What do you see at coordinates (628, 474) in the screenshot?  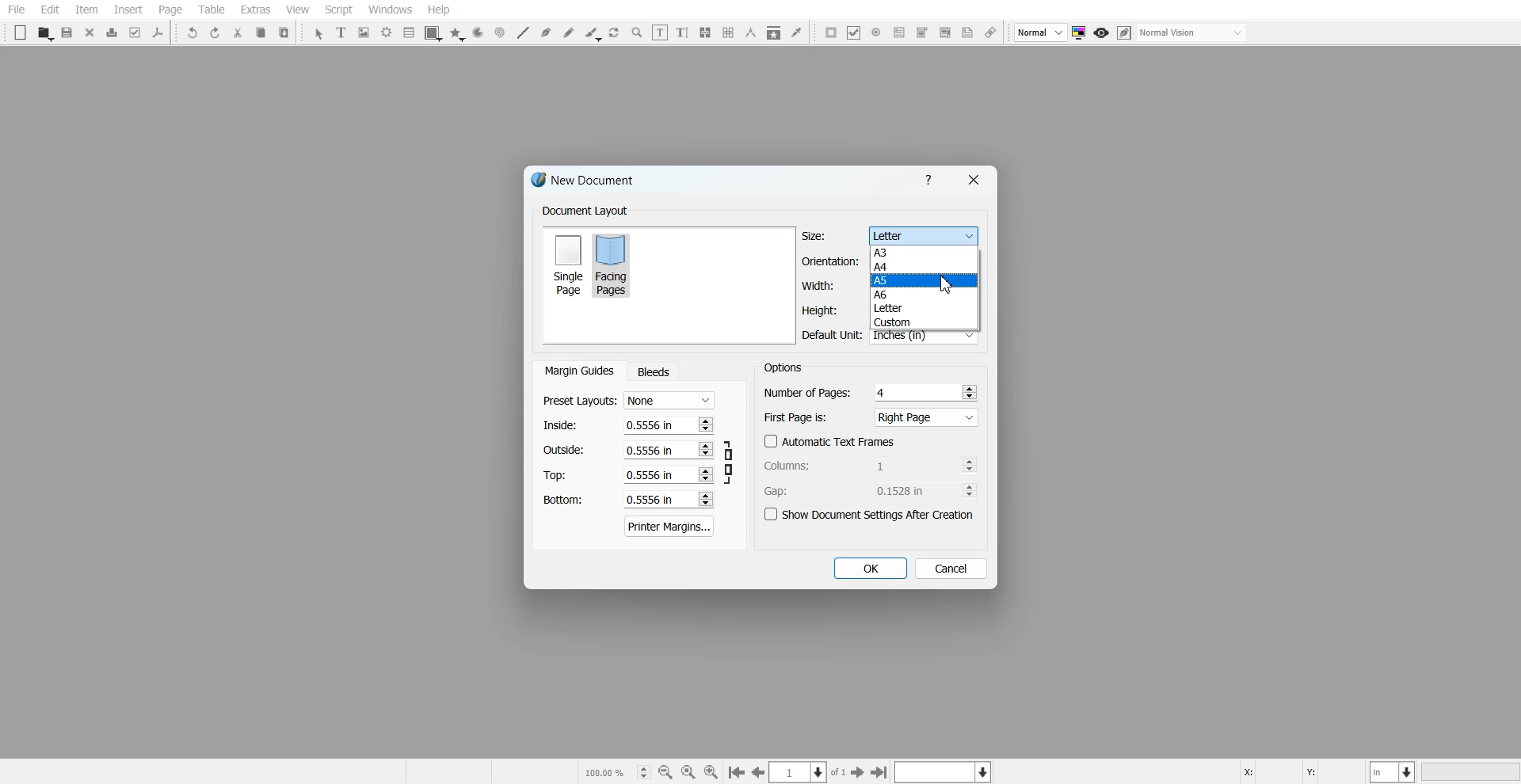 I see `Top margin adjuster` at bounding box center [628, 474].